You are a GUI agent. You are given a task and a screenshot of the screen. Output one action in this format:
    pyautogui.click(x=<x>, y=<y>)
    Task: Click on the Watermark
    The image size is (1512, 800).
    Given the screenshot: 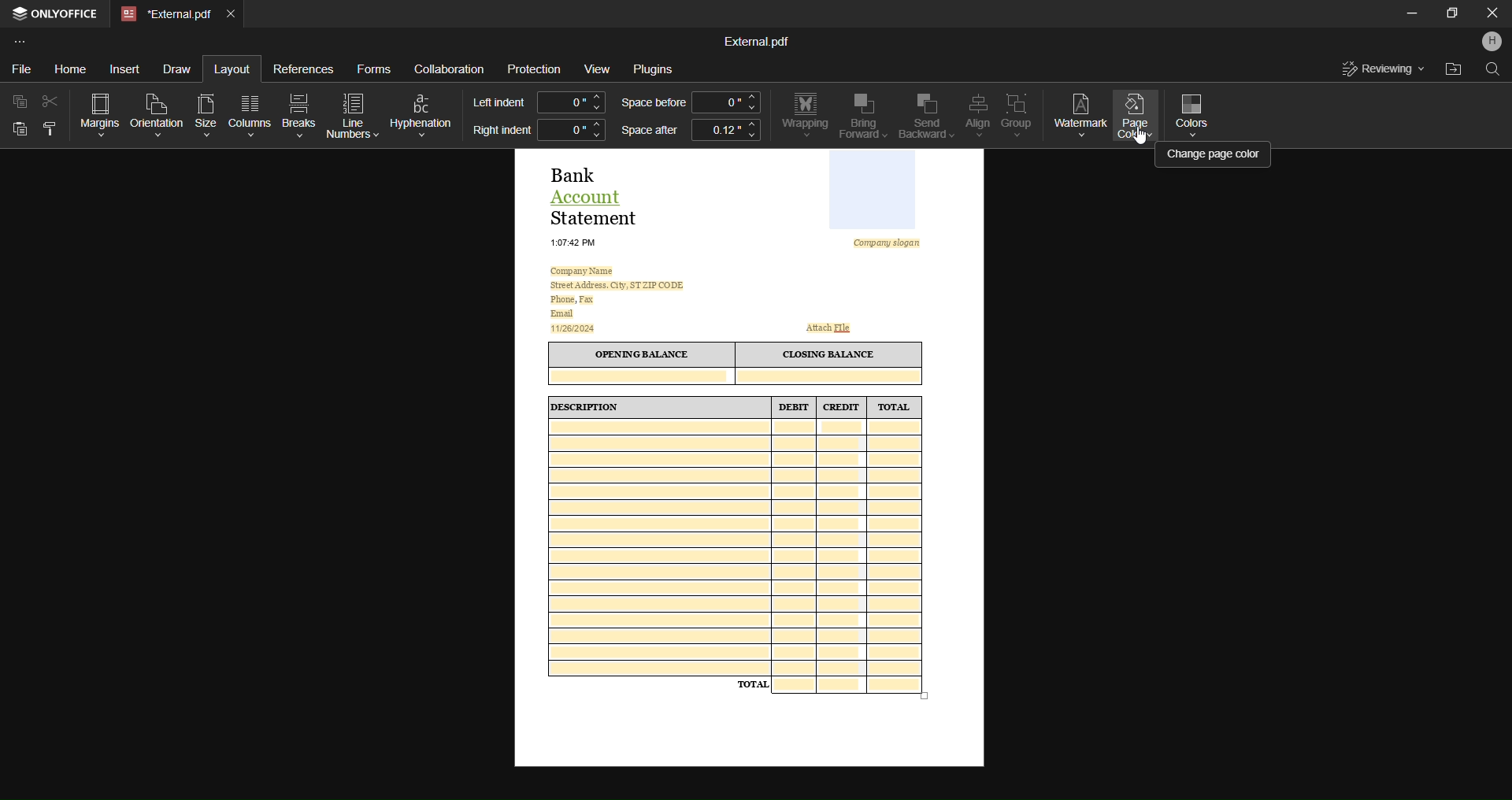 What is the action you would take?
    pyautogui.click(x=1080, y=113)
    